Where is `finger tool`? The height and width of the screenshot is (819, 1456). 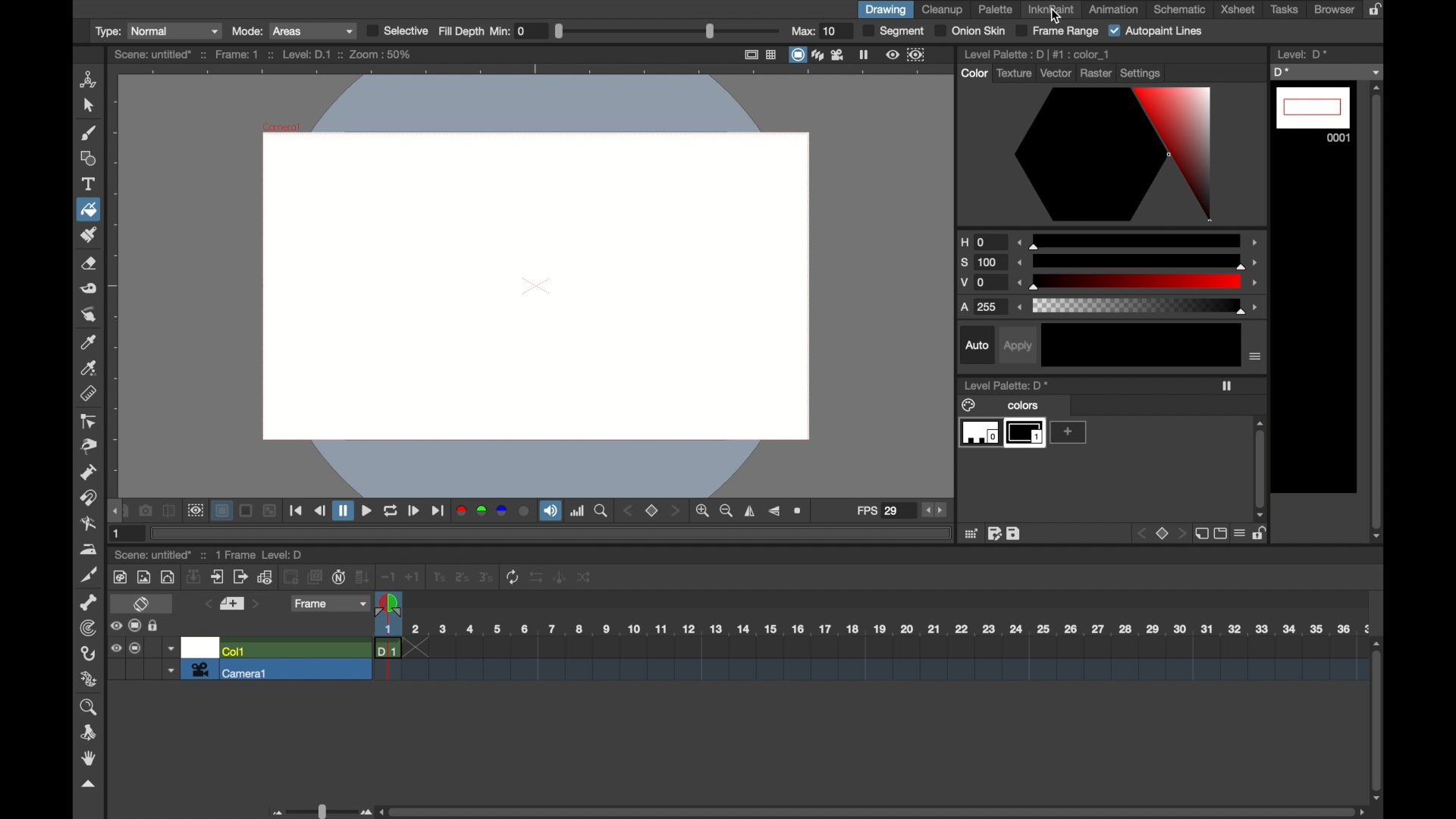 finger tool is located at coordinates (87, 314).